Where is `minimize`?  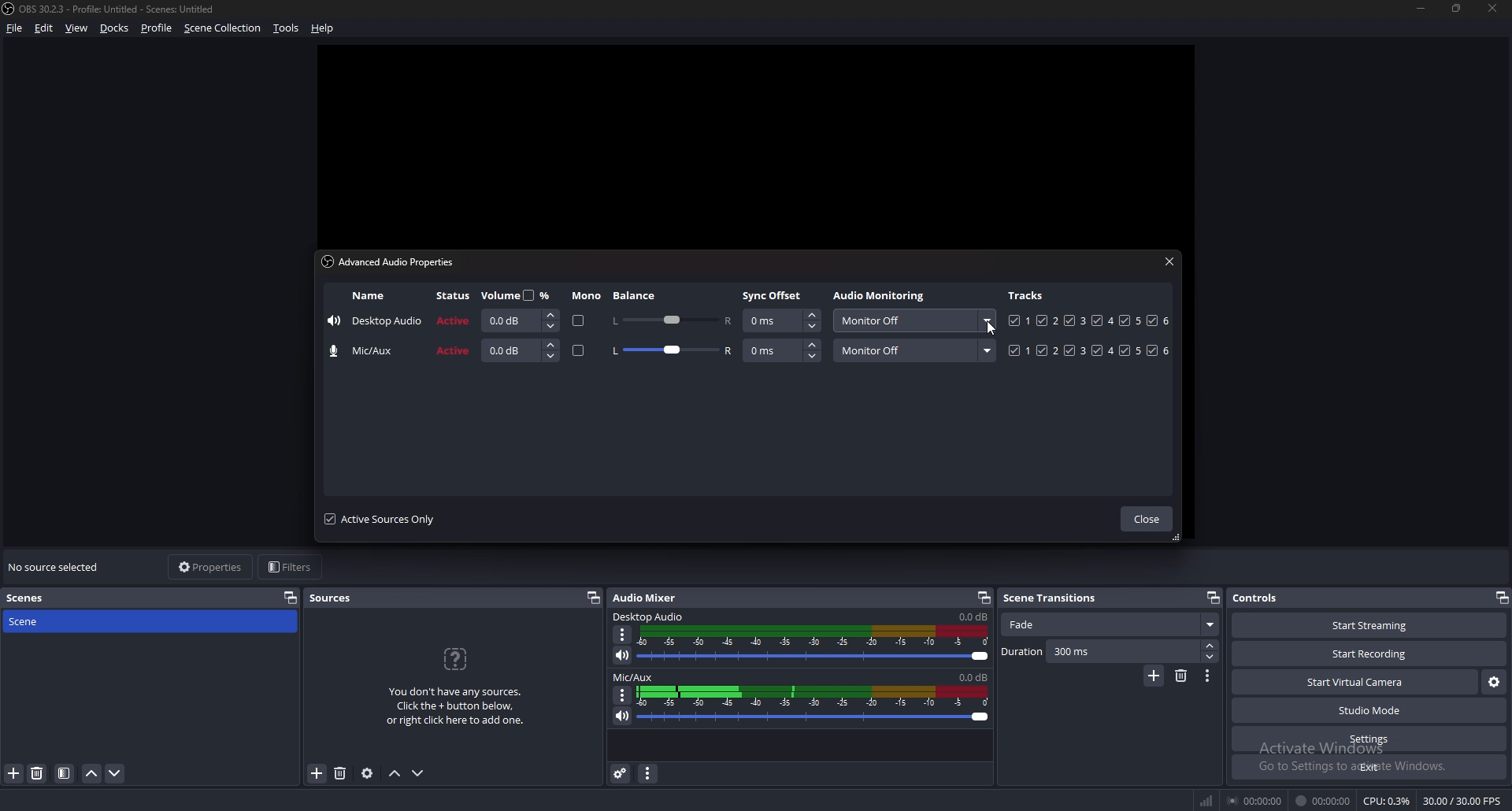
minimize is located at coordinates (1421, 9).